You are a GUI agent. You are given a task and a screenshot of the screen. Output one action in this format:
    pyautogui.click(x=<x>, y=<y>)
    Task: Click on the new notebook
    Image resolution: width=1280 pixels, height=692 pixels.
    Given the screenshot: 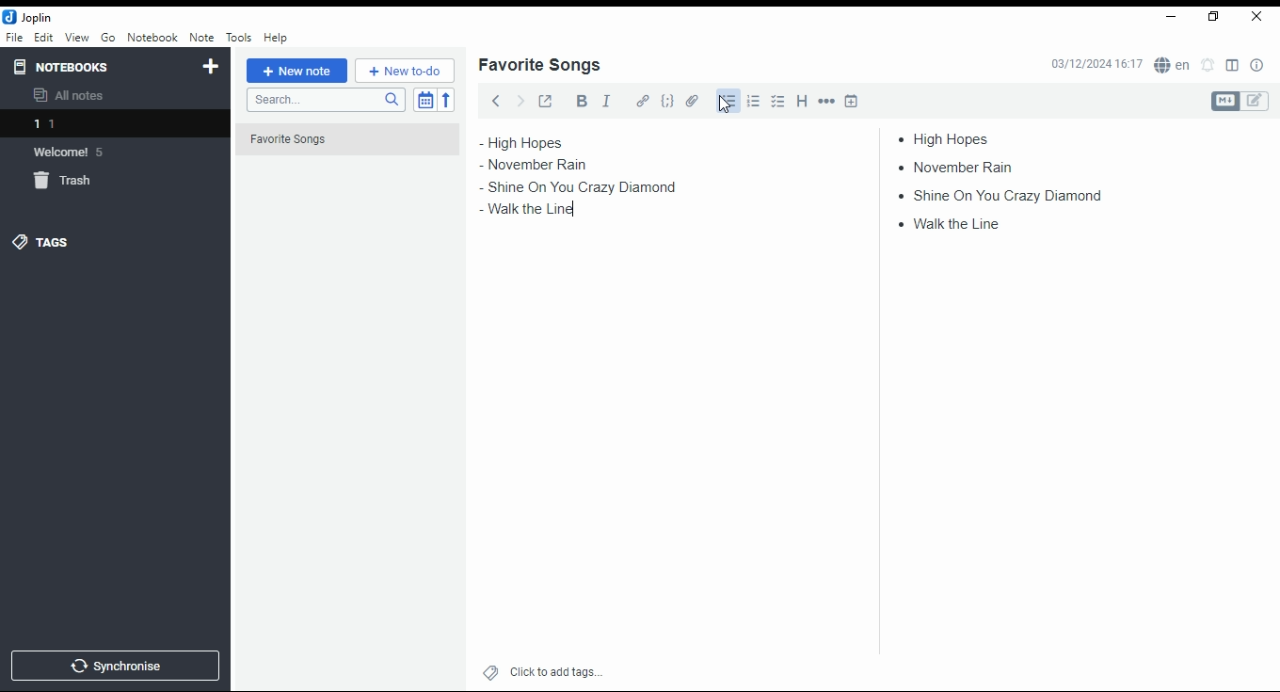 What is the action you would take?
    pyautogui.click(x=211, y=67)
    